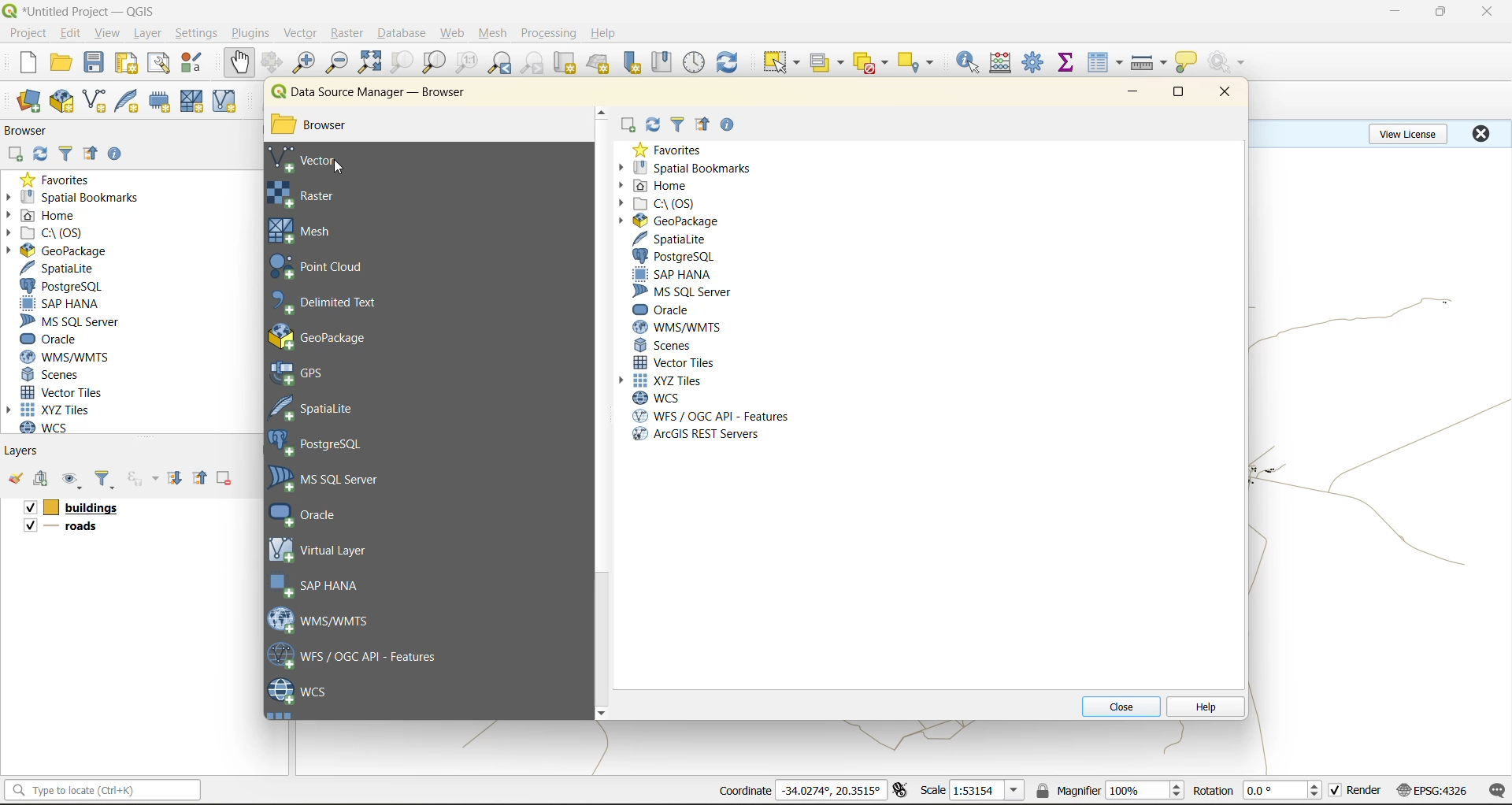 The image size is (1512, 805). Describe the element at coordinates (830, 65) in the screenshot. I see `select value` at that location.